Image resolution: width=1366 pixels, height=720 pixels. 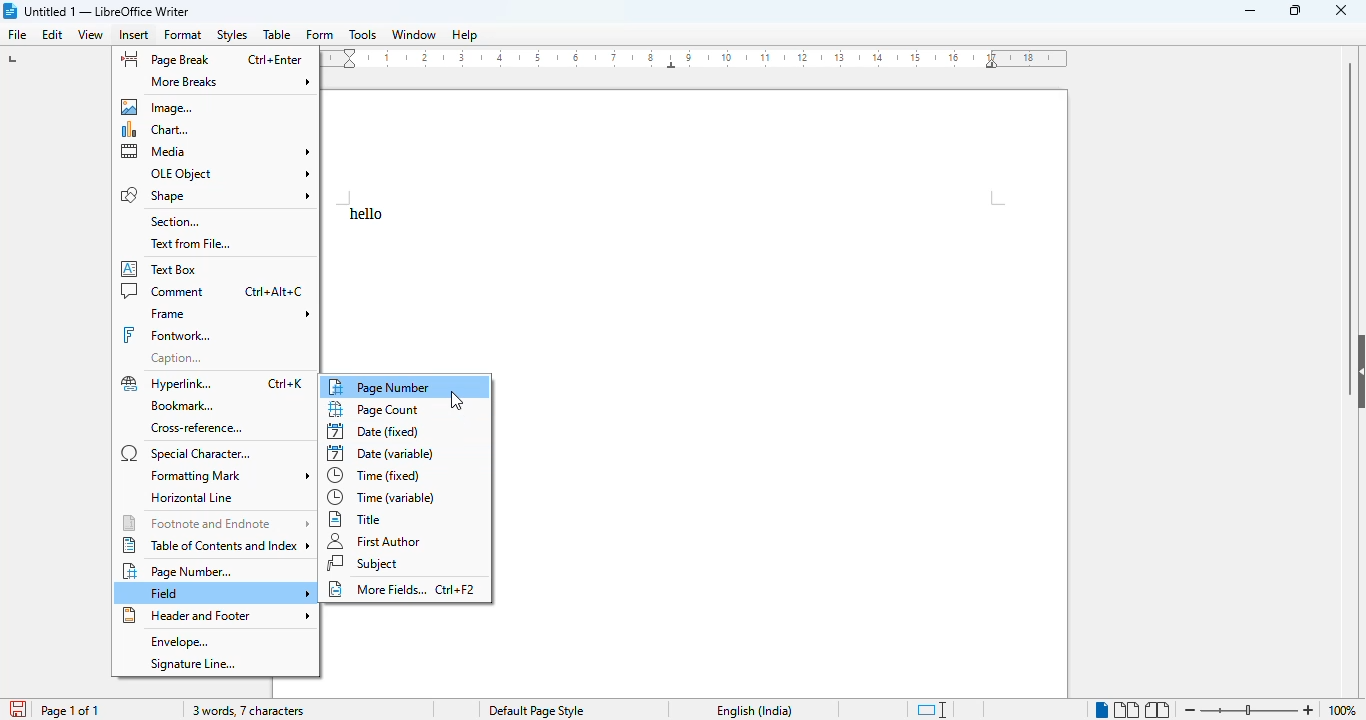 What do you see at coordinates (178, 359) in the screenshot?
I see `caption` at bounding box center [178, 359].